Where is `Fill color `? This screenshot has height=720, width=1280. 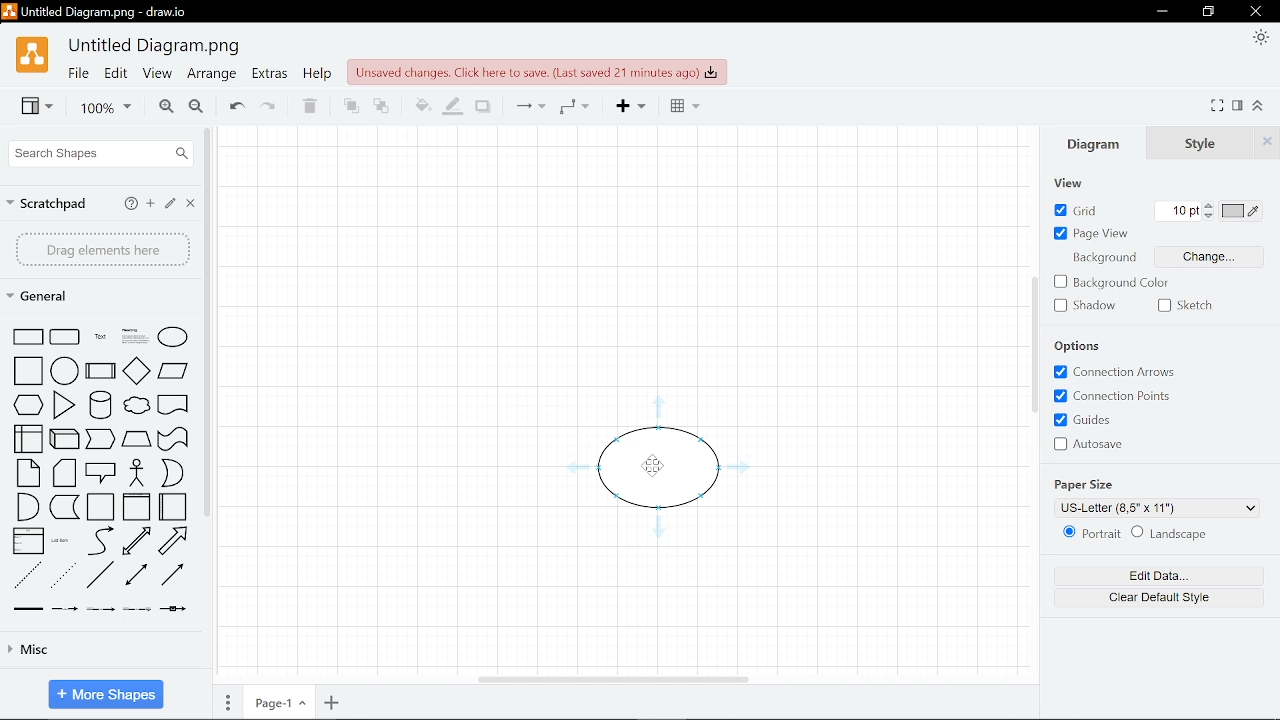
Fill color  is located at coordinates (422, 105).